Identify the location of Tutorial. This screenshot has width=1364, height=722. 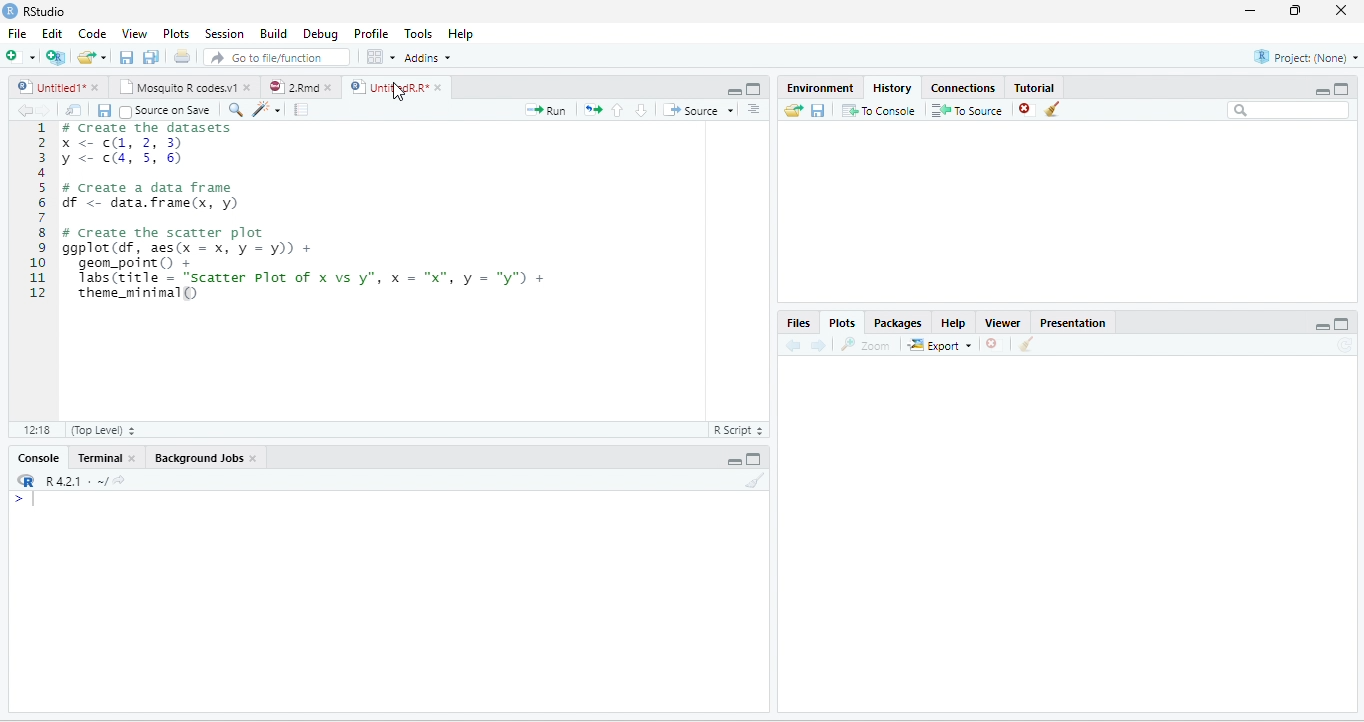
(1035, 86).